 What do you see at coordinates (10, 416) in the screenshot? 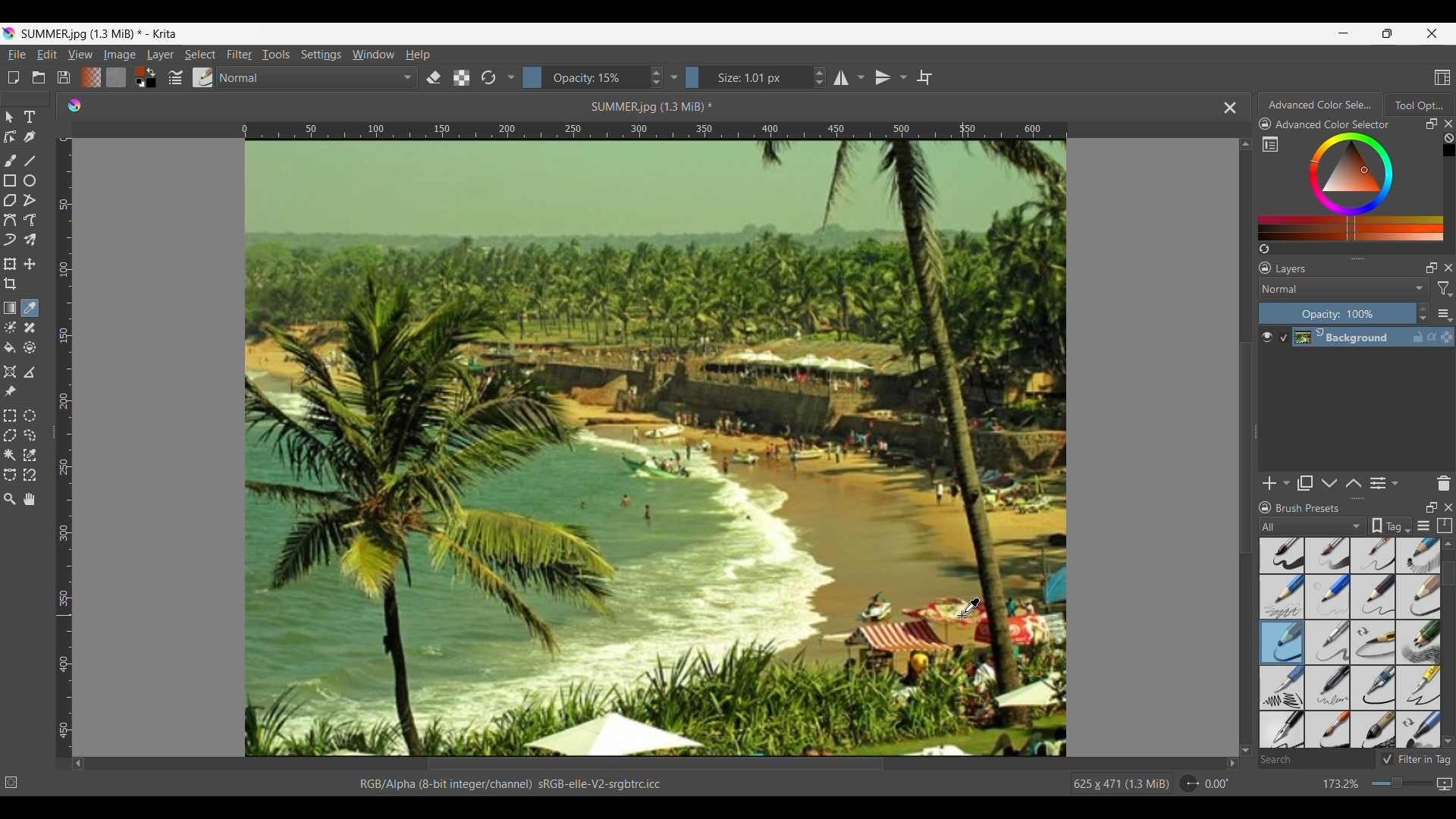
I see `Rectangular selection tool` at bounding box center [10, 416].